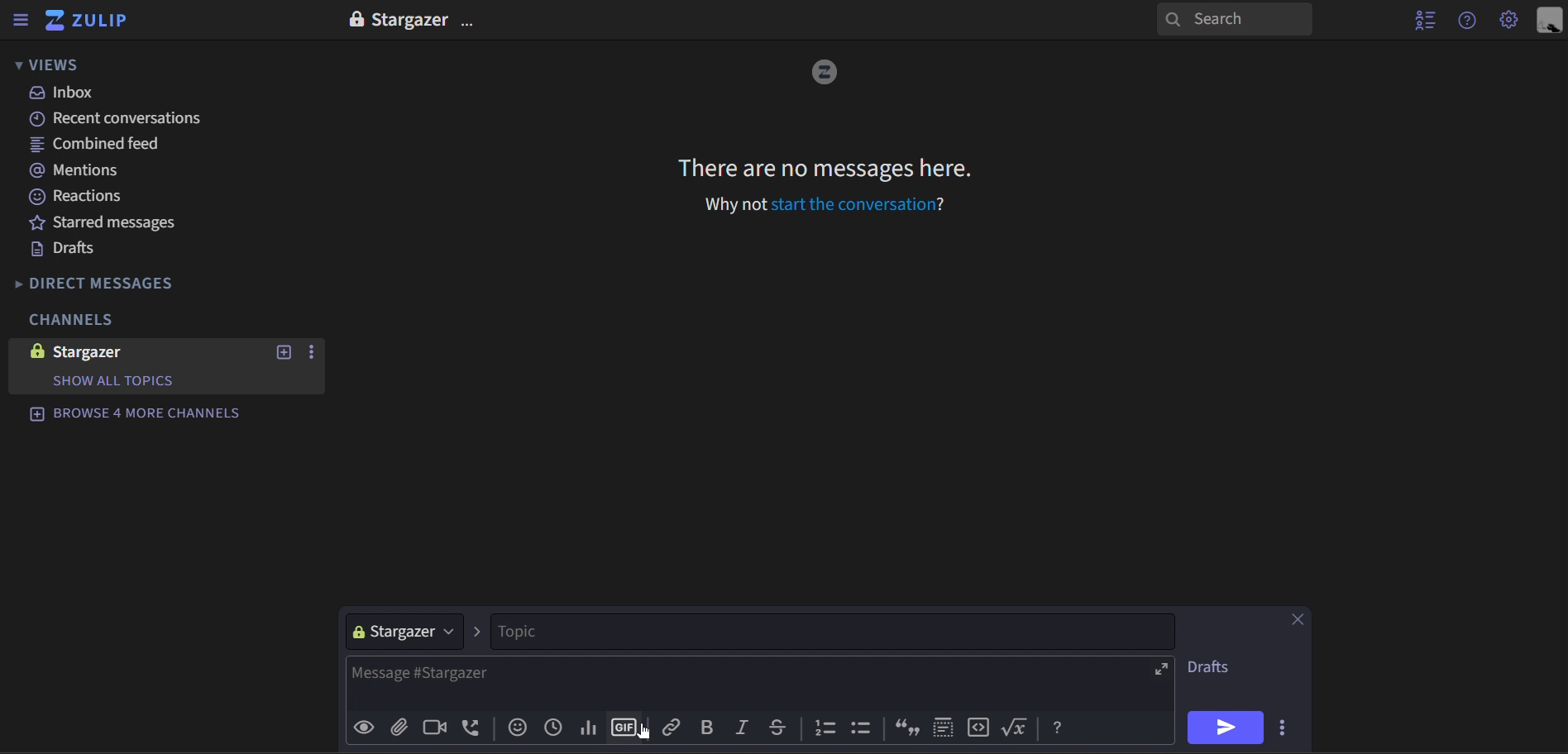 The image size is (1568, 754). I want to click on browse 4 more channels, so click(138, 414).